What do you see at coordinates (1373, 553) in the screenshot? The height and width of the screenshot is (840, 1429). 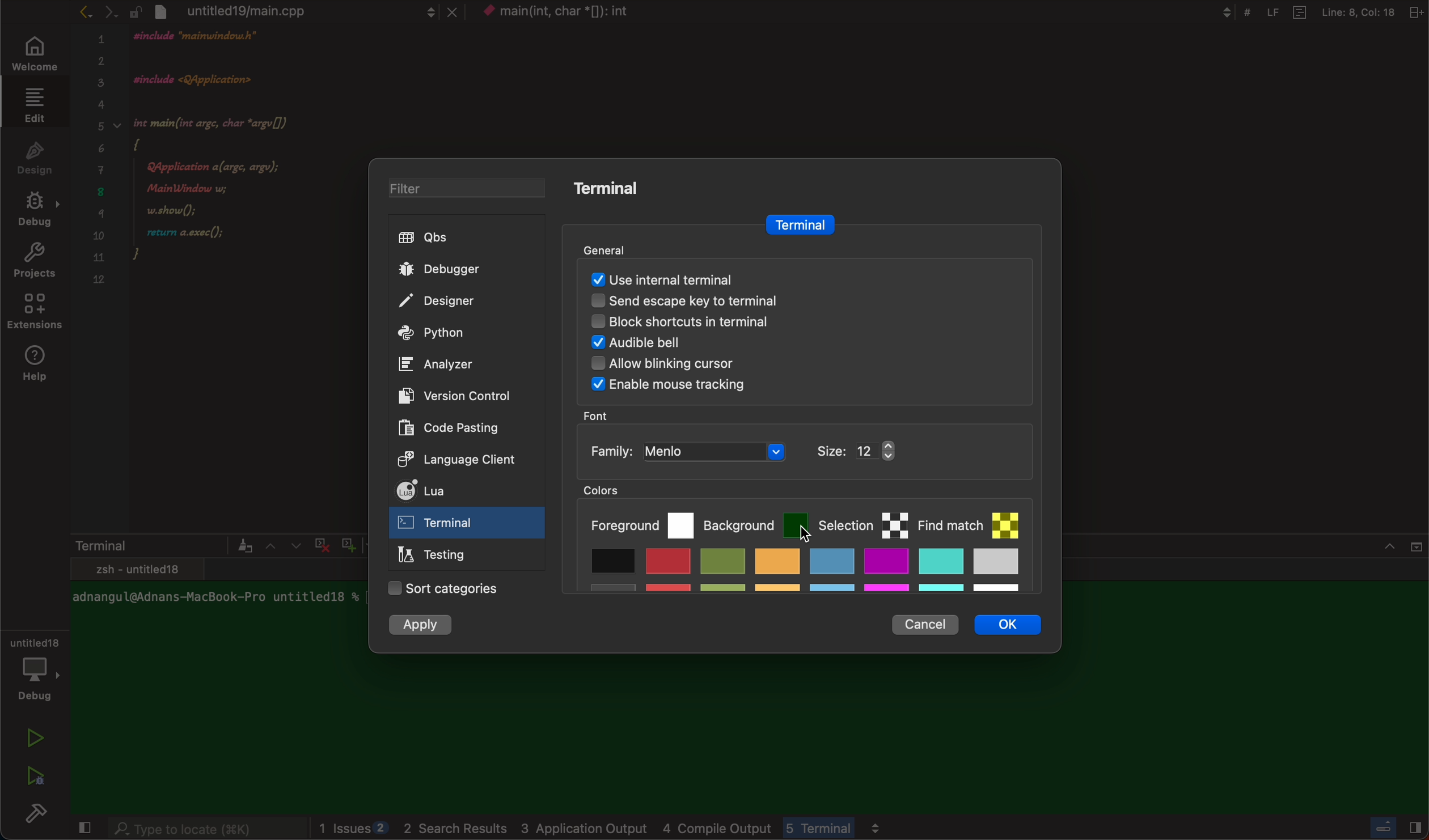 I see `close bar` at bounding box center [1373, 553].